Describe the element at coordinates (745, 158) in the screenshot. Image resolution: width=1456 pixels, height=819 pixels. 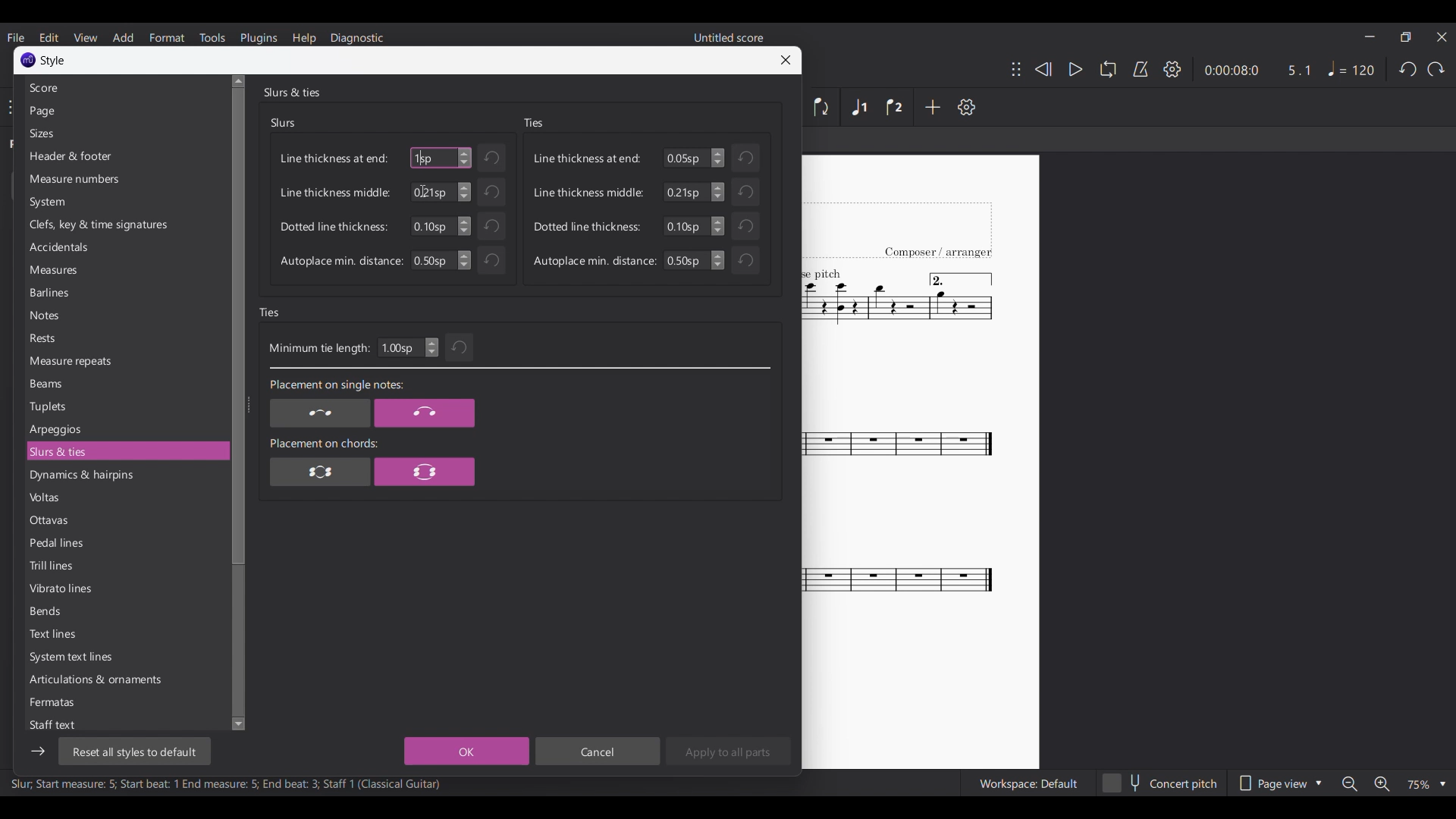
I see `Undo` at that location.